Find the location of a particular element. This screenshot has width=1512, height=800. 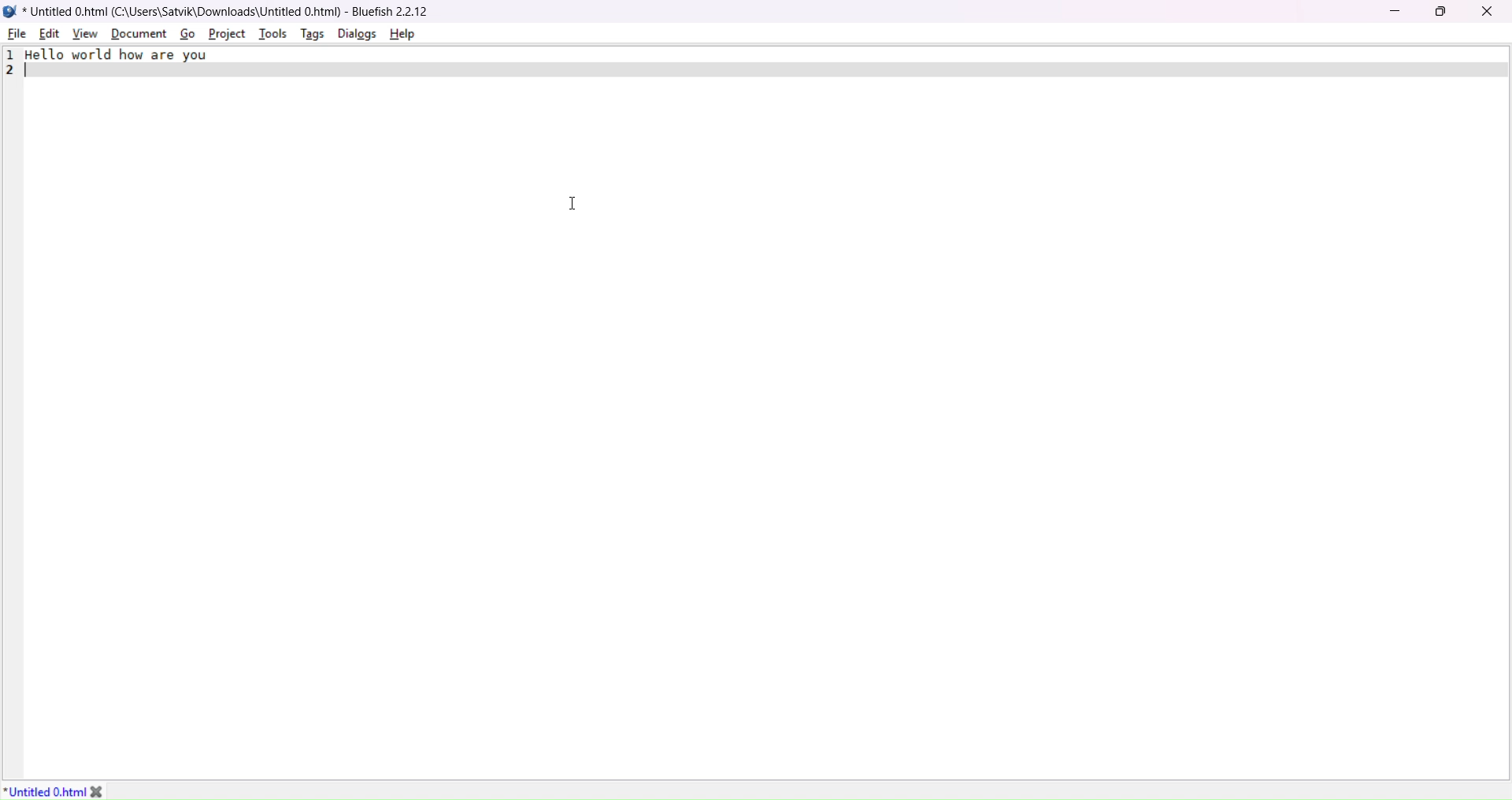

file is located at coordinates (18, 34).